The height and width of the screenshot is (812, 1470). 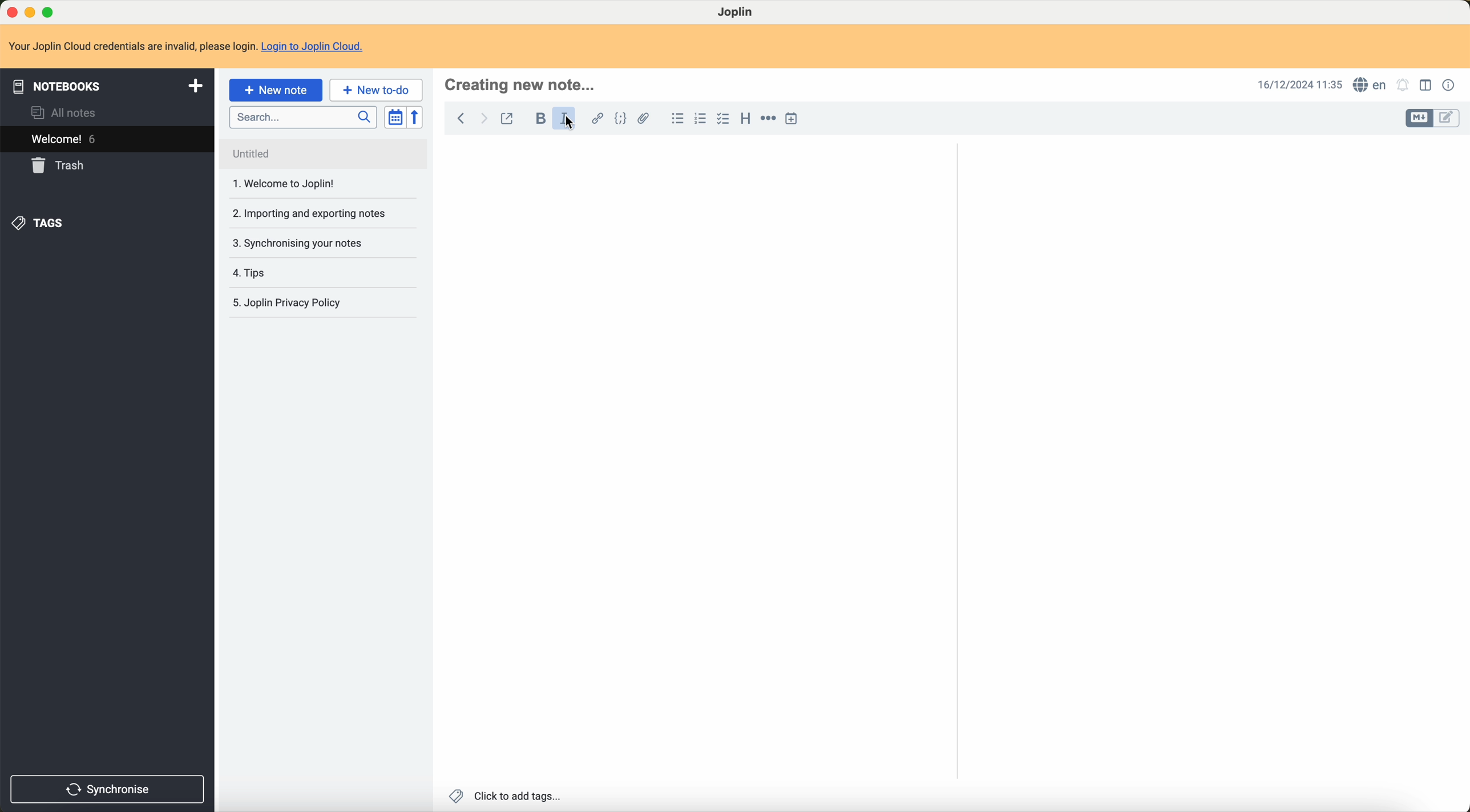 What do you see at coordinates (486, 119) in the screenshot?
I see `foward` at bounding box center [486, 119].